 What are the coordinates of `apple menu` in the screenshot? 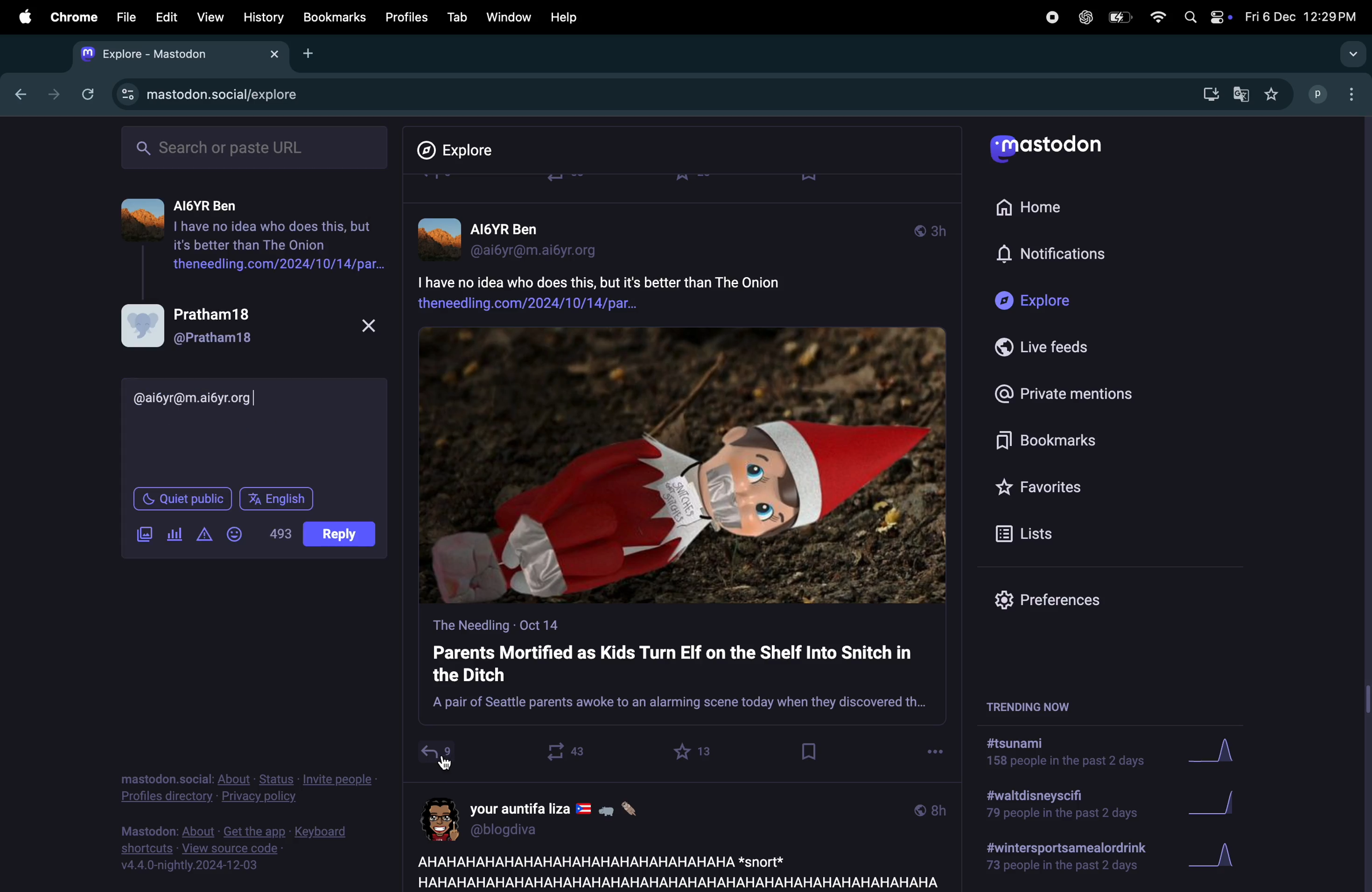 It's located at (20, 16).